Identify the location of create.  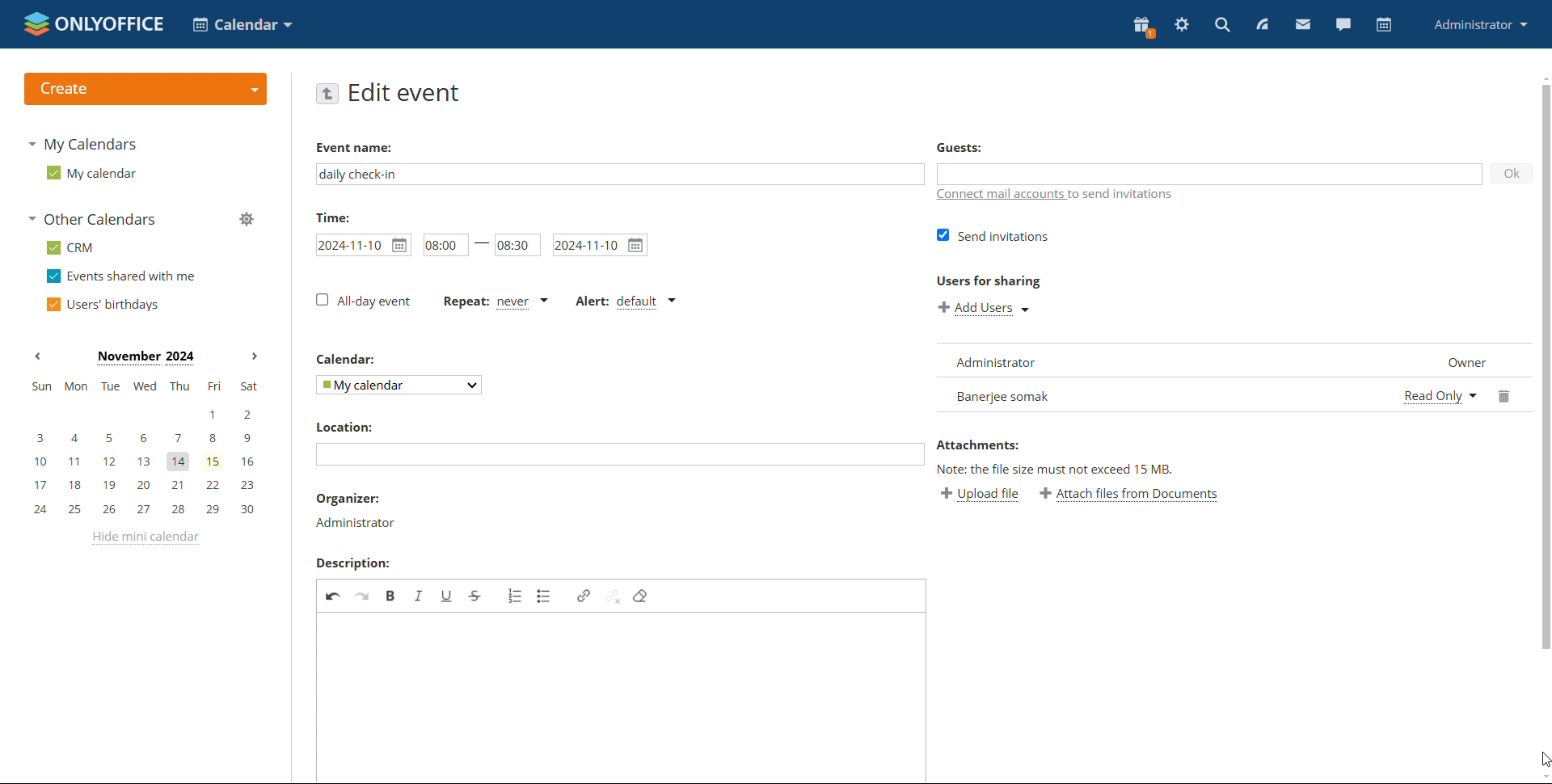
(145, 89).